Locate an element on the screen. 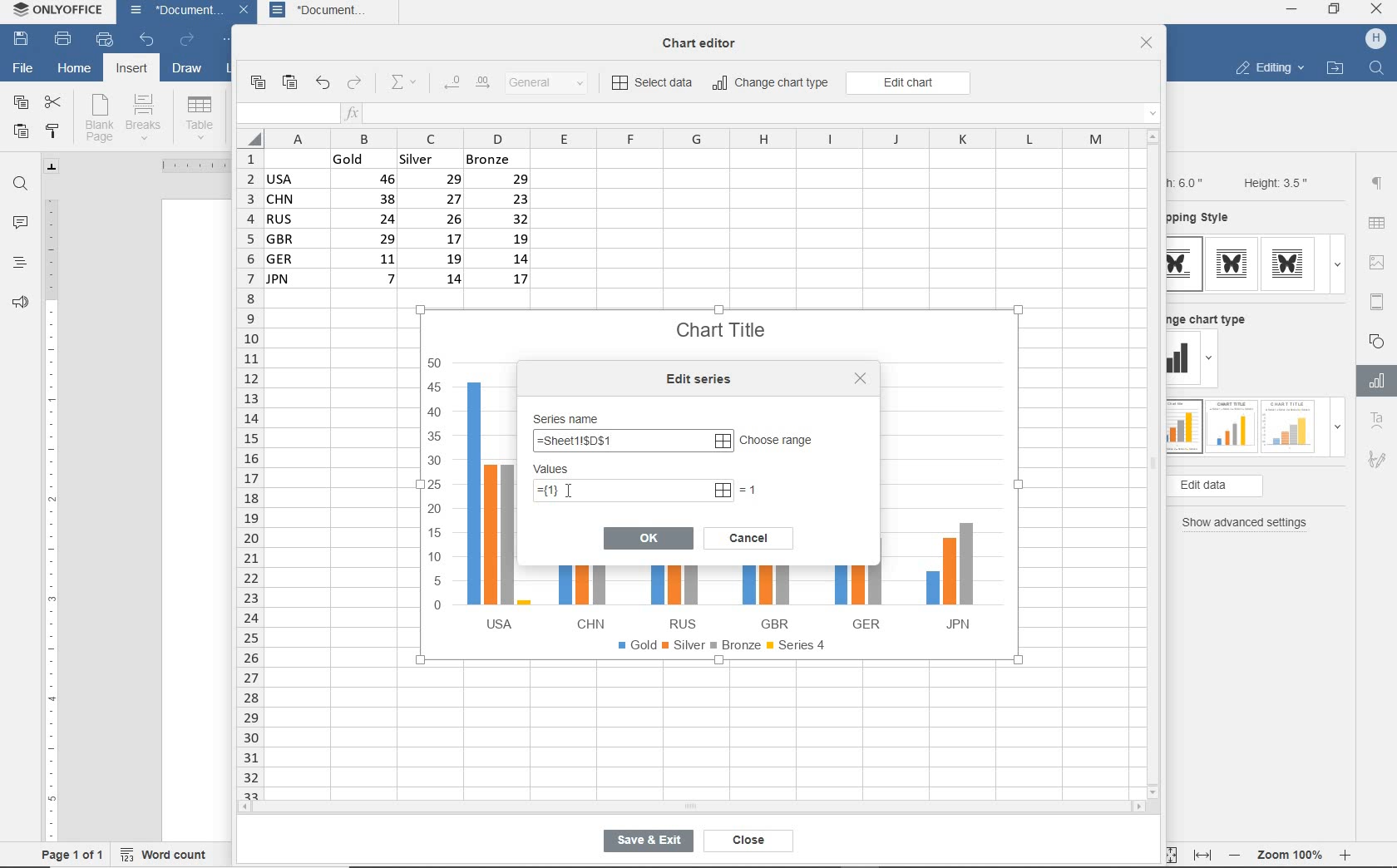 This screenshot has width=1397, height=868. shape is located at coordinates (1379, 340).